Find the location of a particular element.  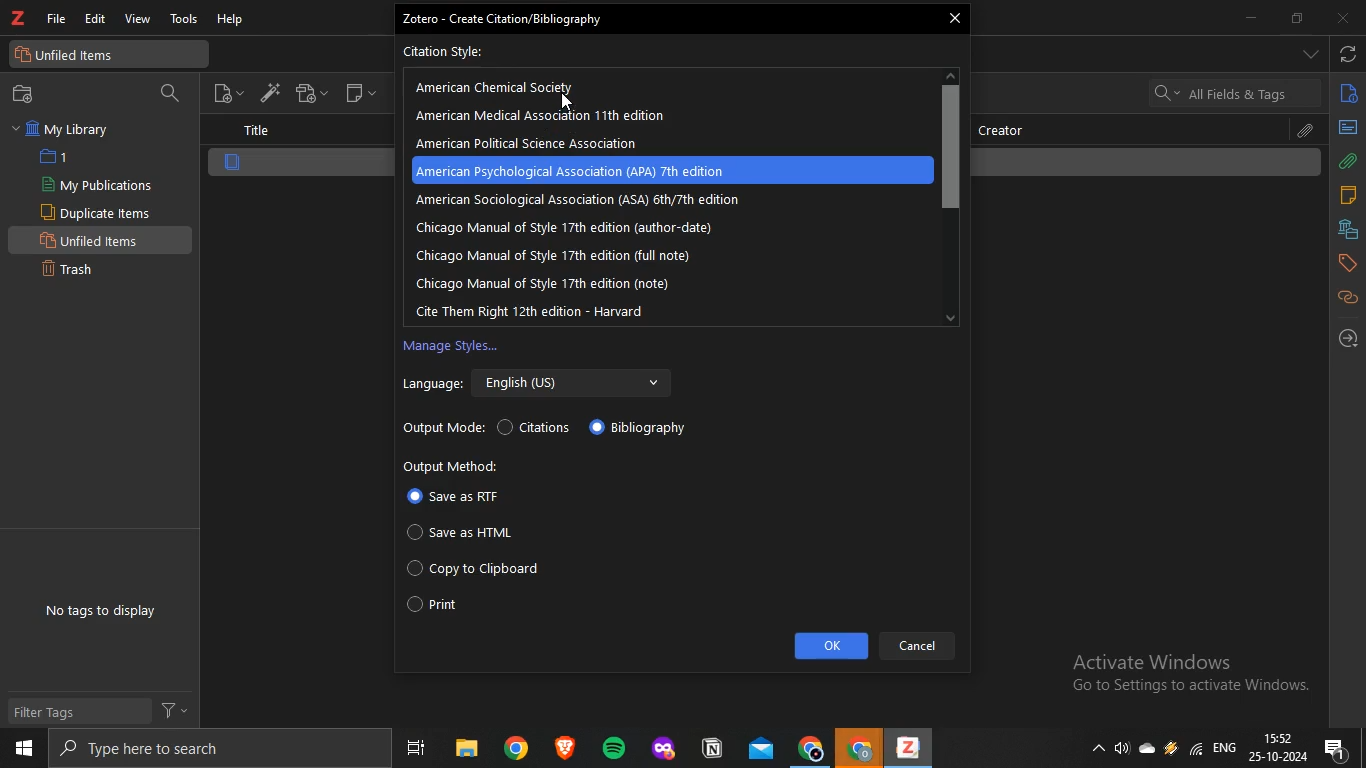

chrome is located at coordinates (812, 747).